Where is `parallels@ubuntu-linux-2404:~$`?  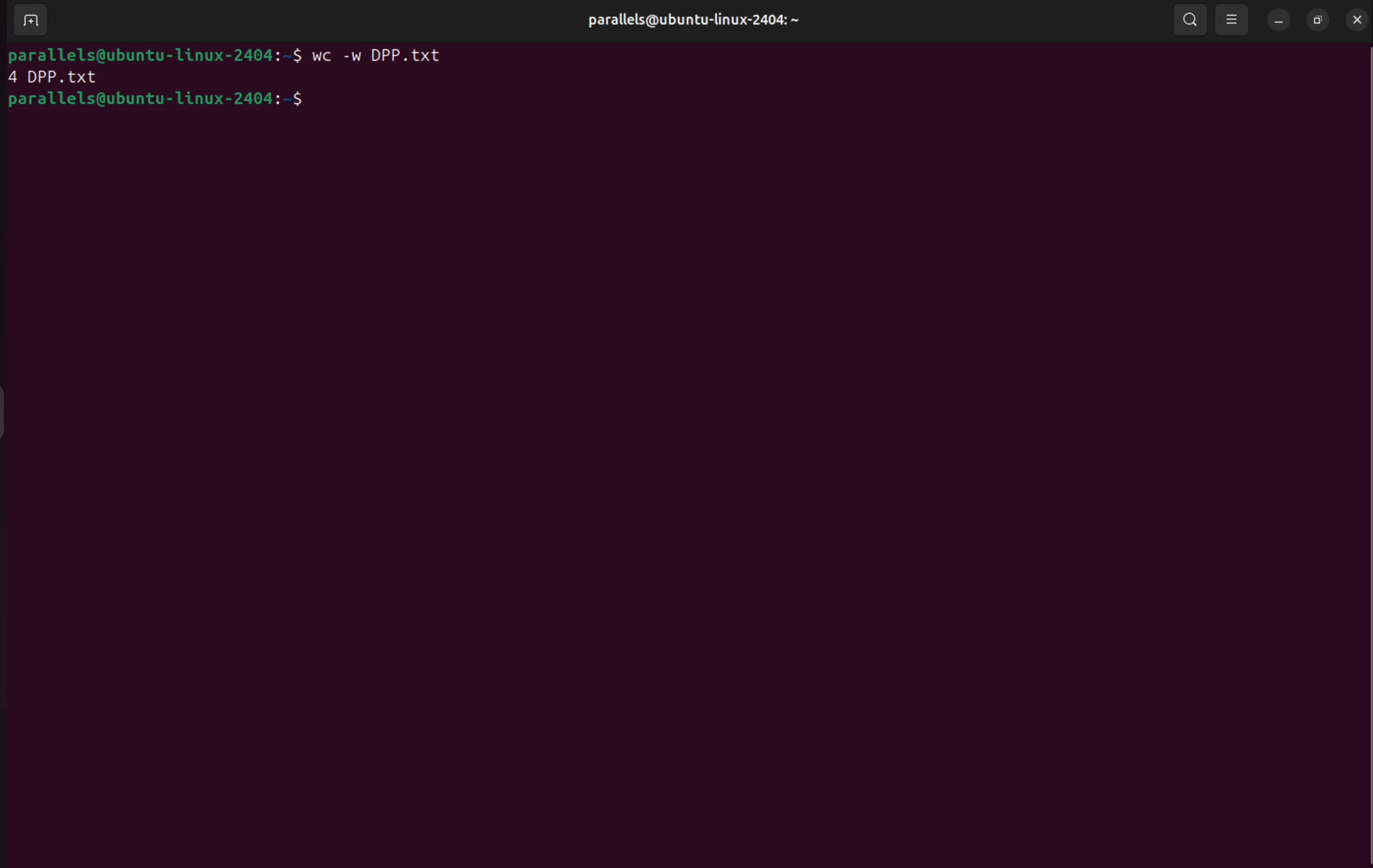 parallels@ubuntu-linux-2404:~$ is located at coordinates (156, 54).